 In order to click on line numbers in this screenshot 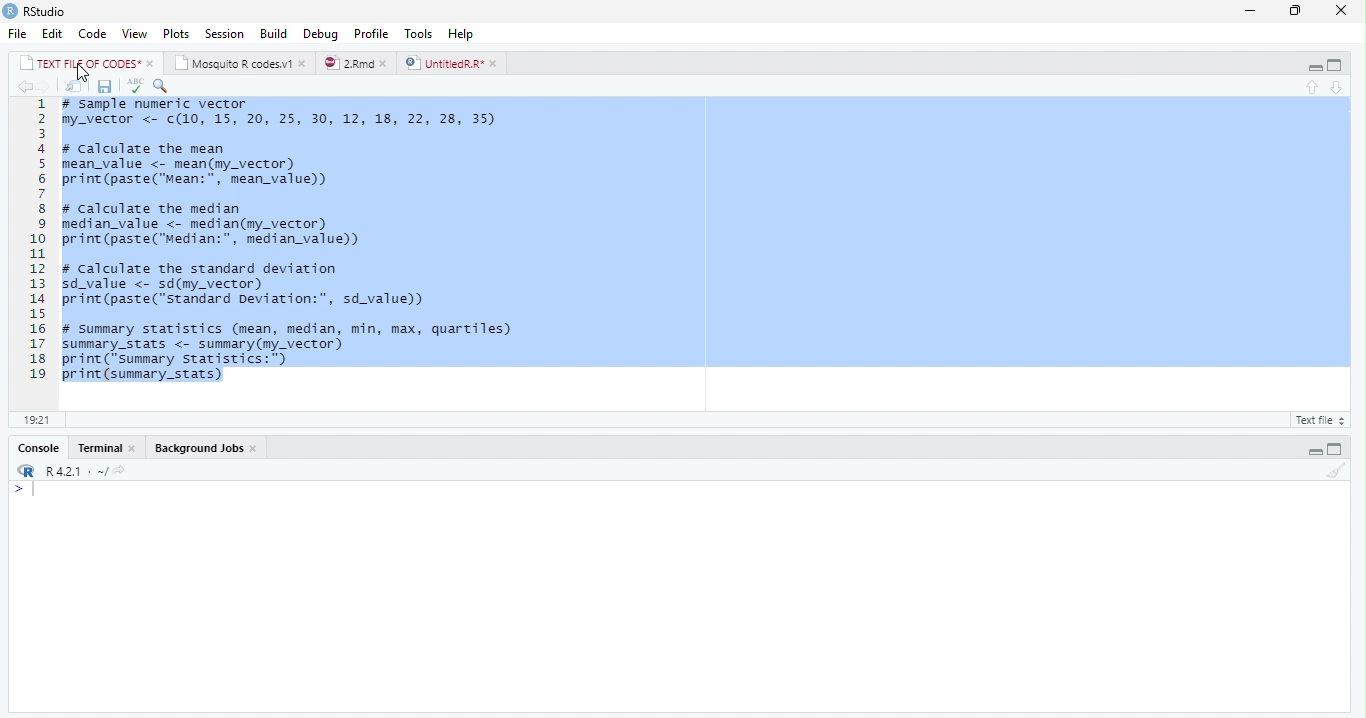, I will do `click(33, 239)`.